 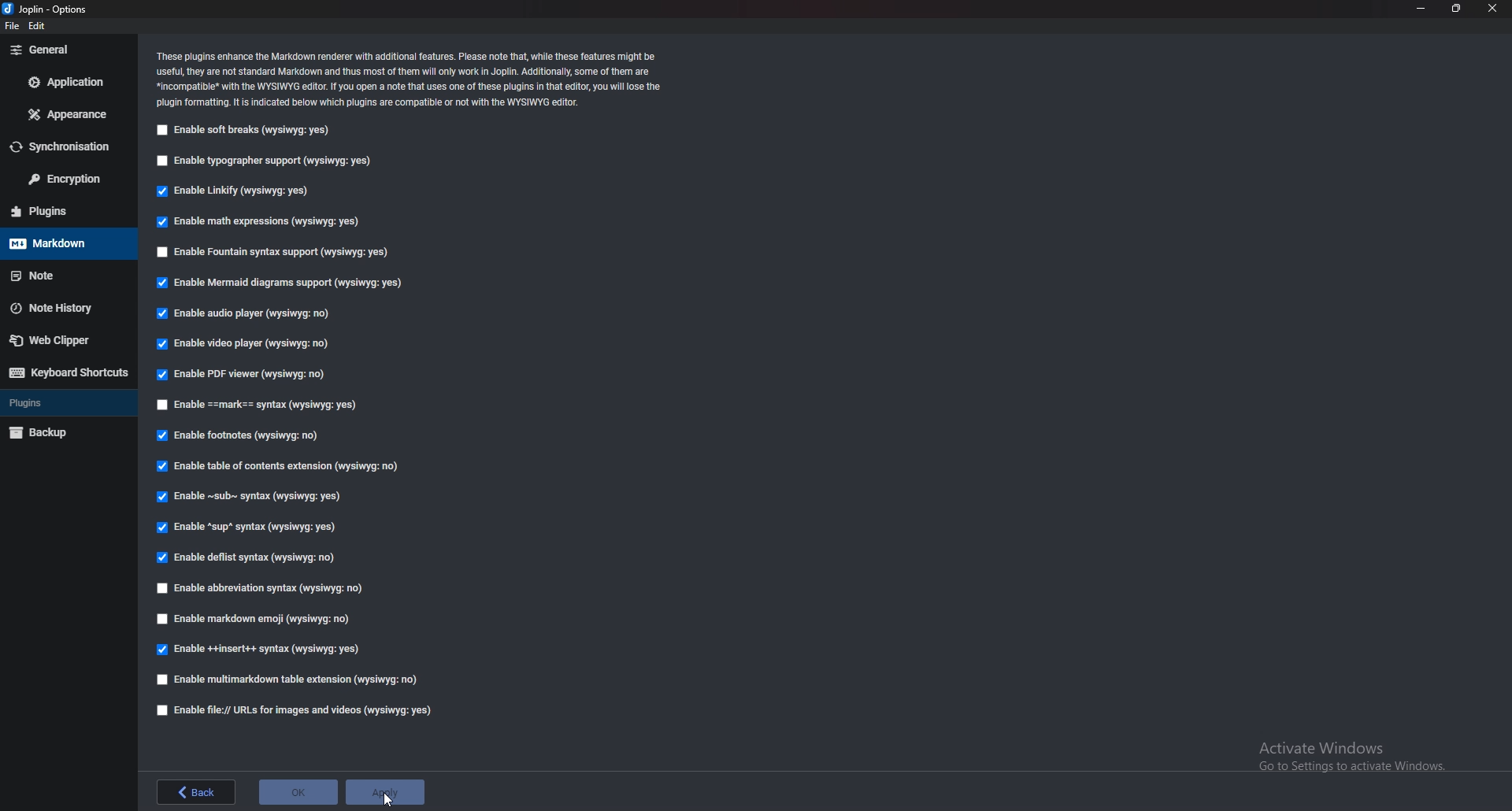 I want to click on file, so click(x=11, y=25).